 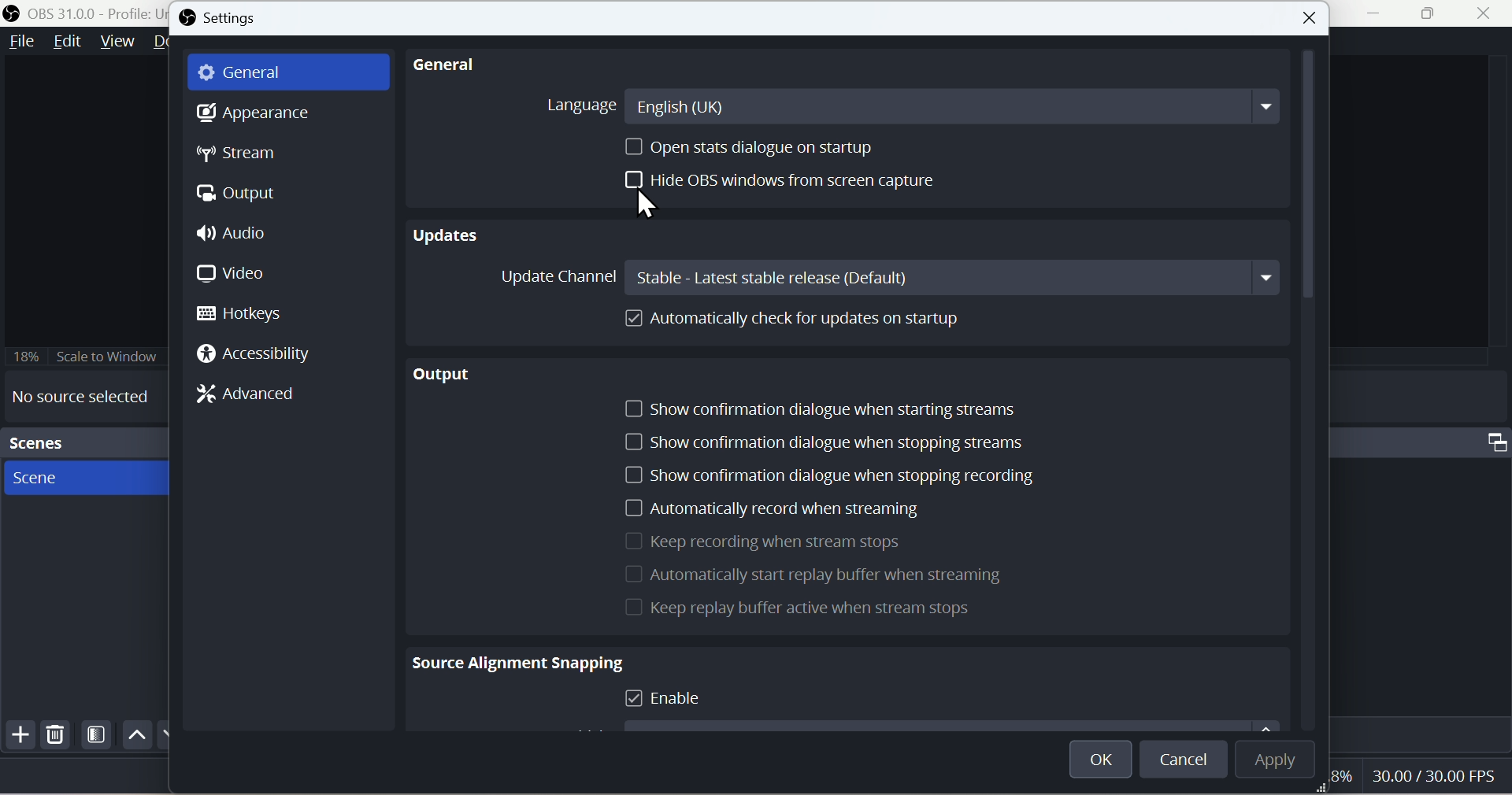 What do you see at coordinates (254, 73) in the screenshot?
I see `General` at bounding box center [254, 73].